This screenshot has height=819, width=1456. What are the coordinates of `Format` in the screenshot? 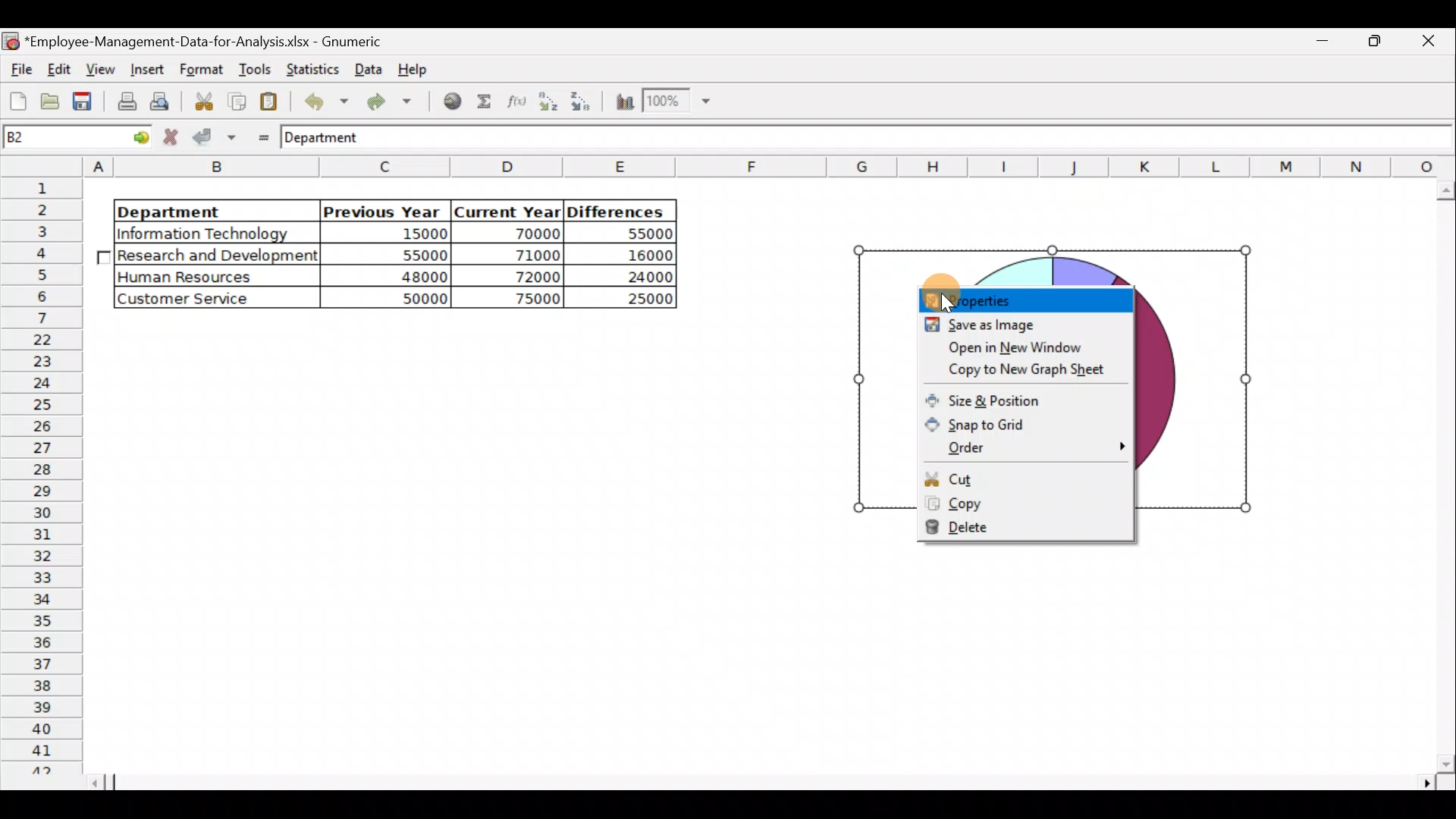 It's located at (199, 70).